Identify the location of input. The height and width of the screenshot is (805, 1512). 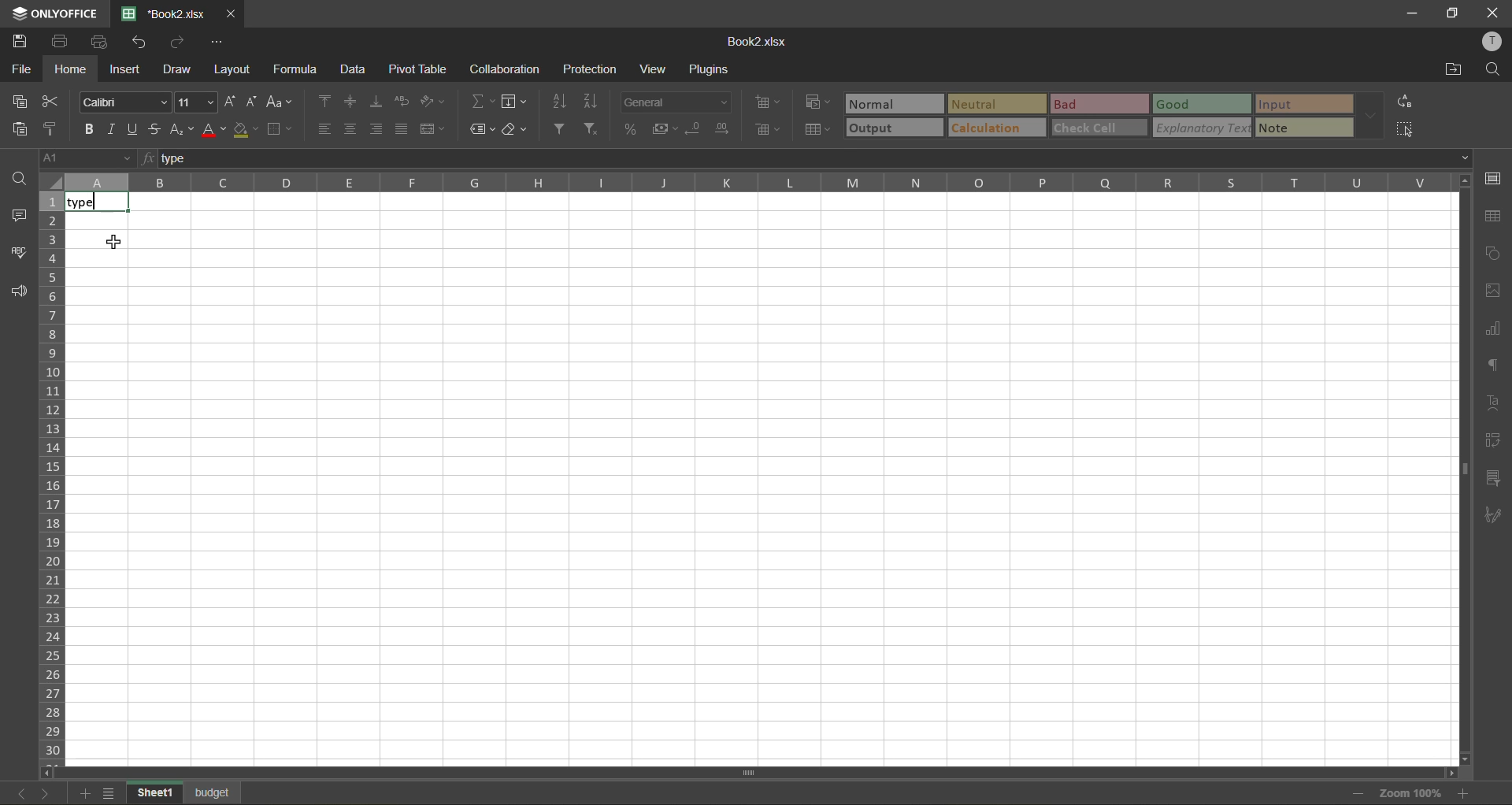
(1299, 104).